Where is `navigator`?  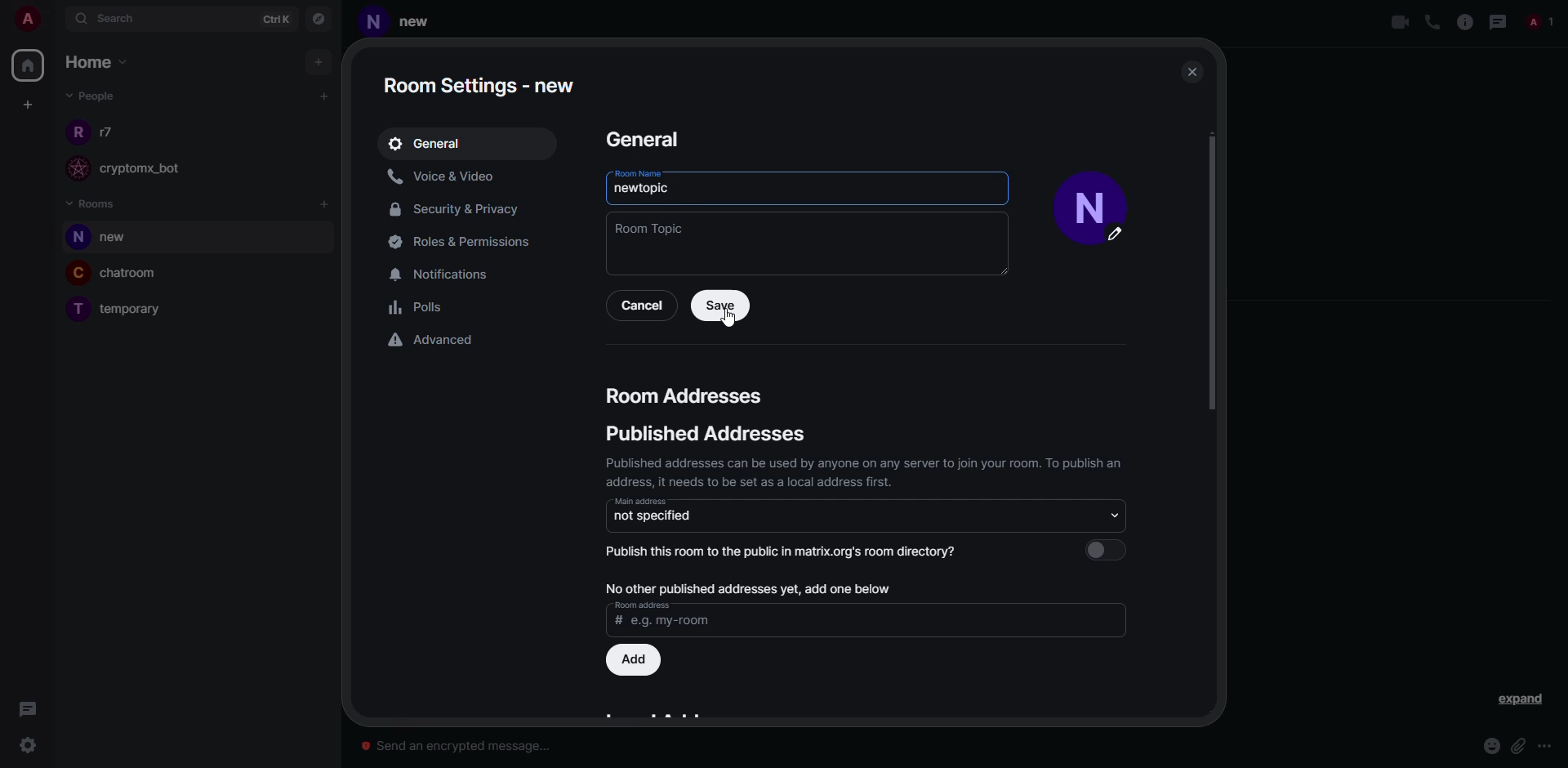 navigator is located at coordinates (320, 19).